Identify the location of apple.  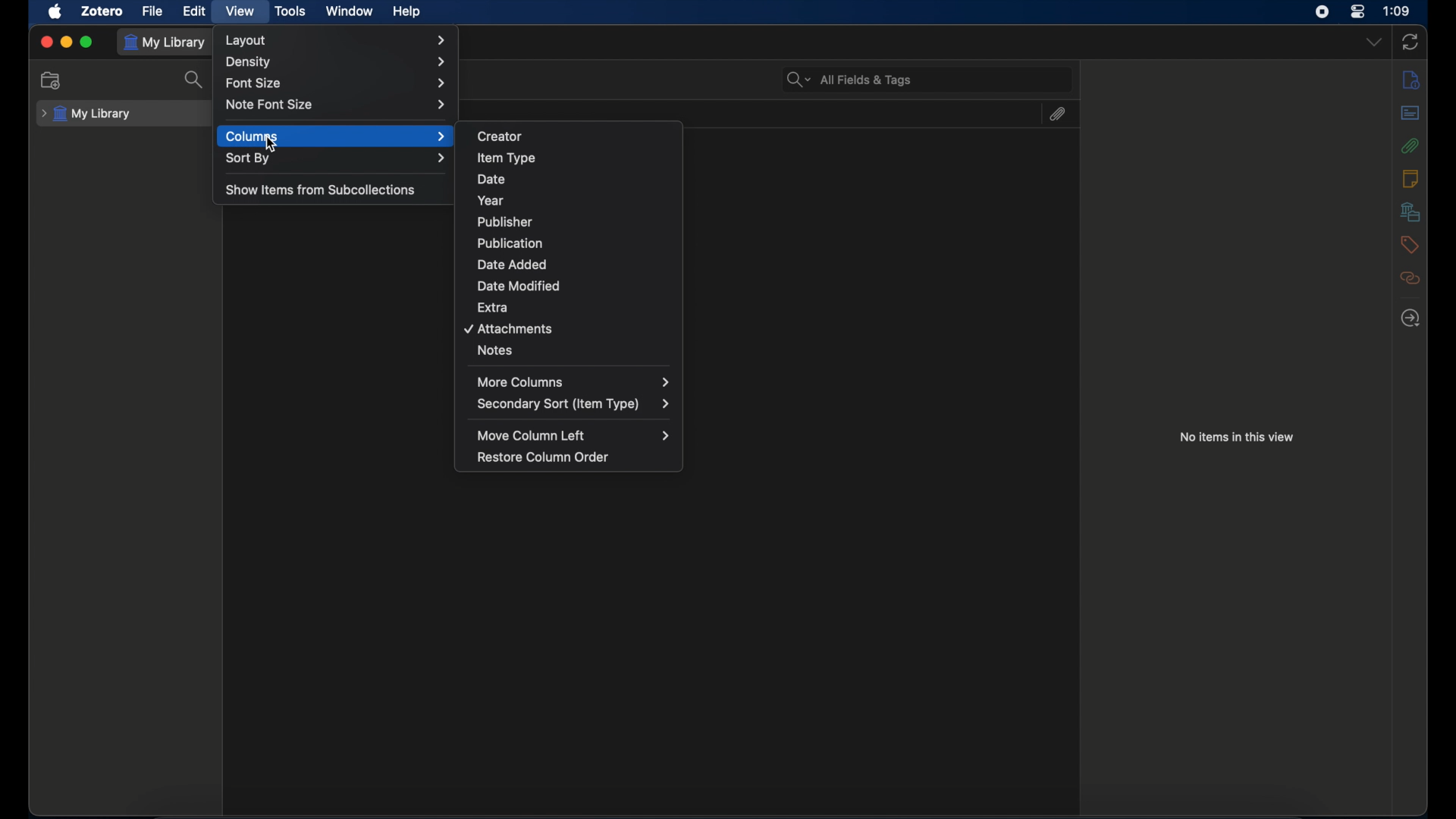
(56, 12).